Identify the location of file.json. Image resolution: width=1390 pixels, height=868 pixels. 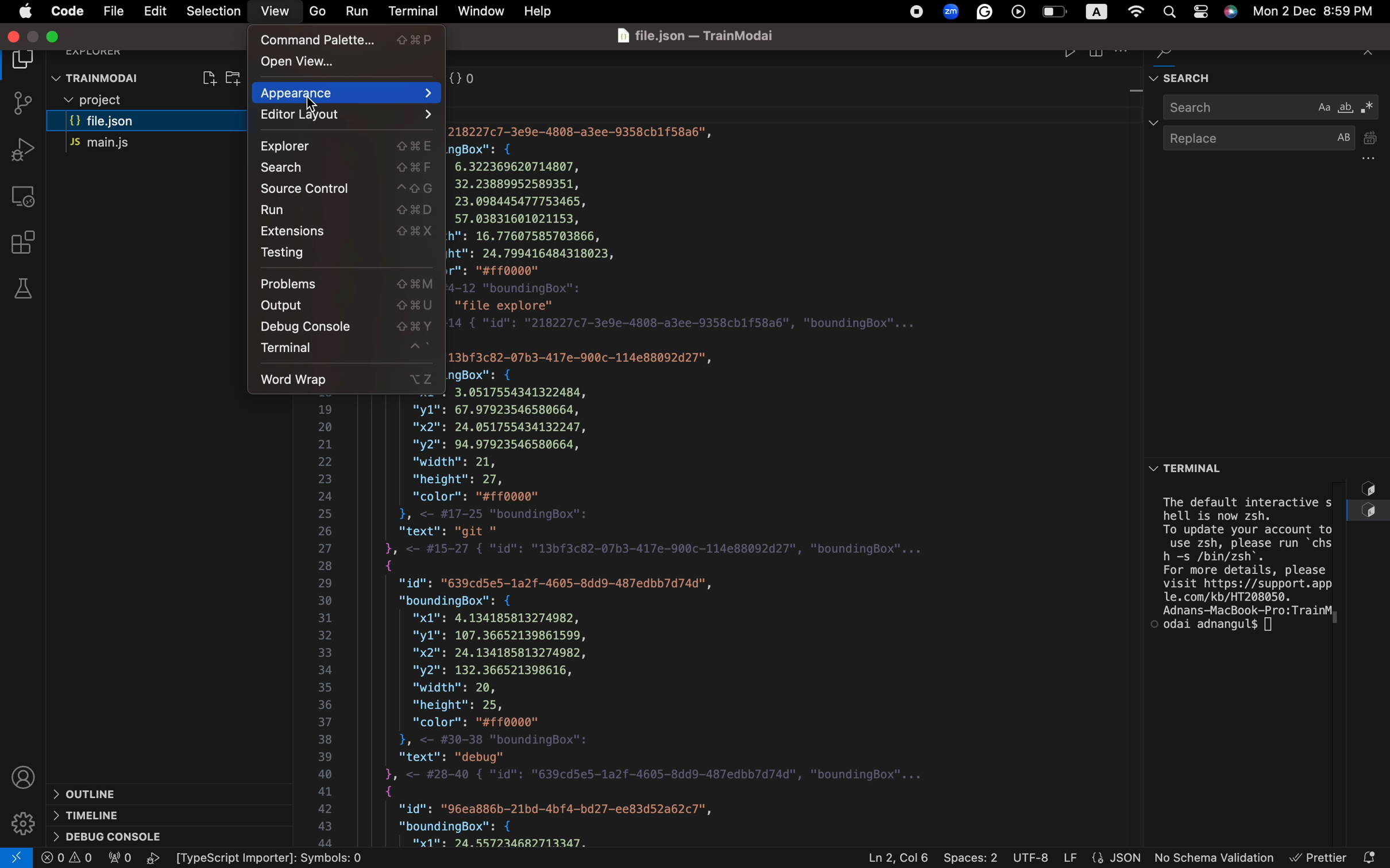
(153, 123).